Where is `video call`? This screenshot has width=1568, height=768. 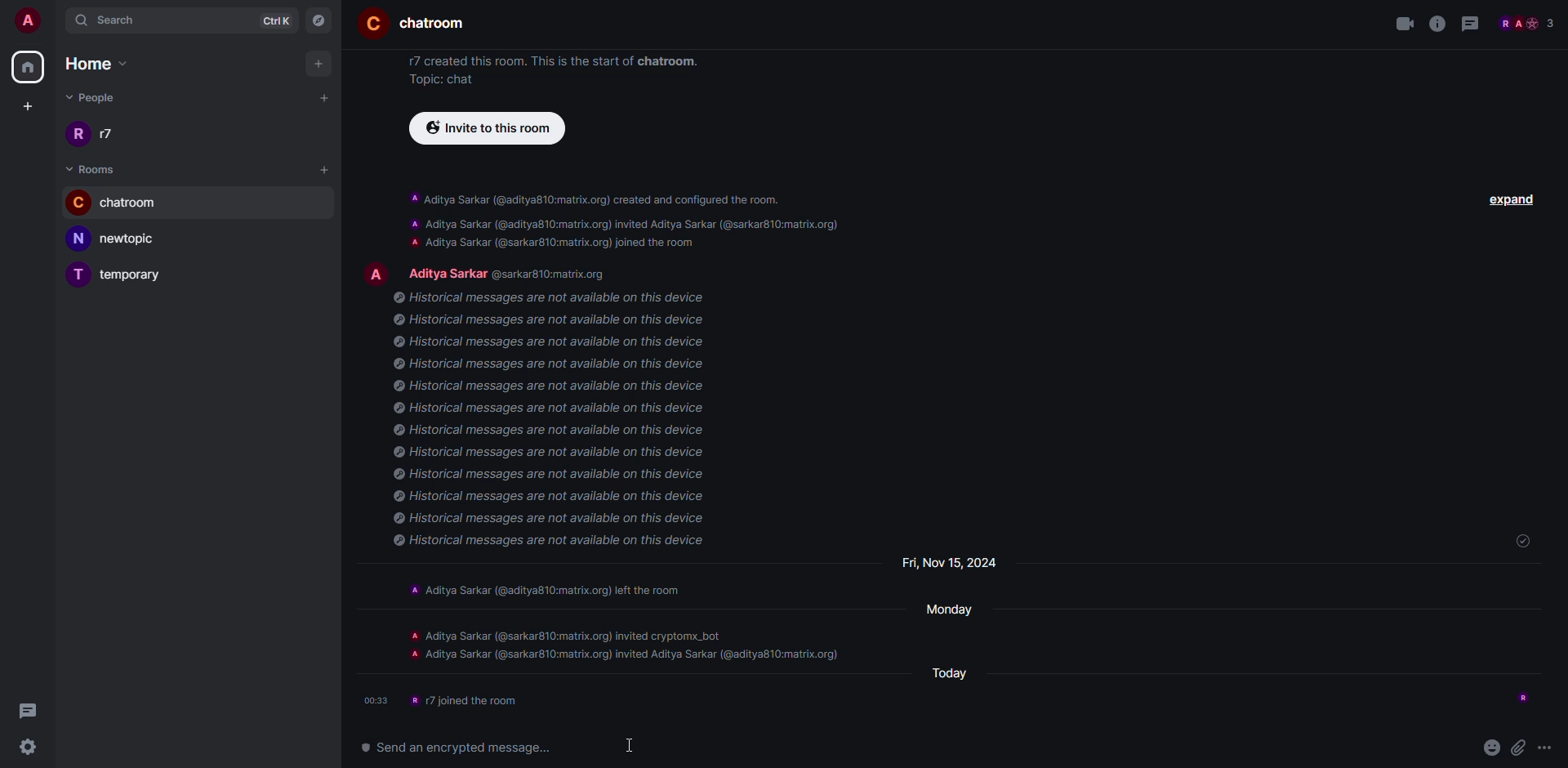 video call is located at coordinates (1400, 25).